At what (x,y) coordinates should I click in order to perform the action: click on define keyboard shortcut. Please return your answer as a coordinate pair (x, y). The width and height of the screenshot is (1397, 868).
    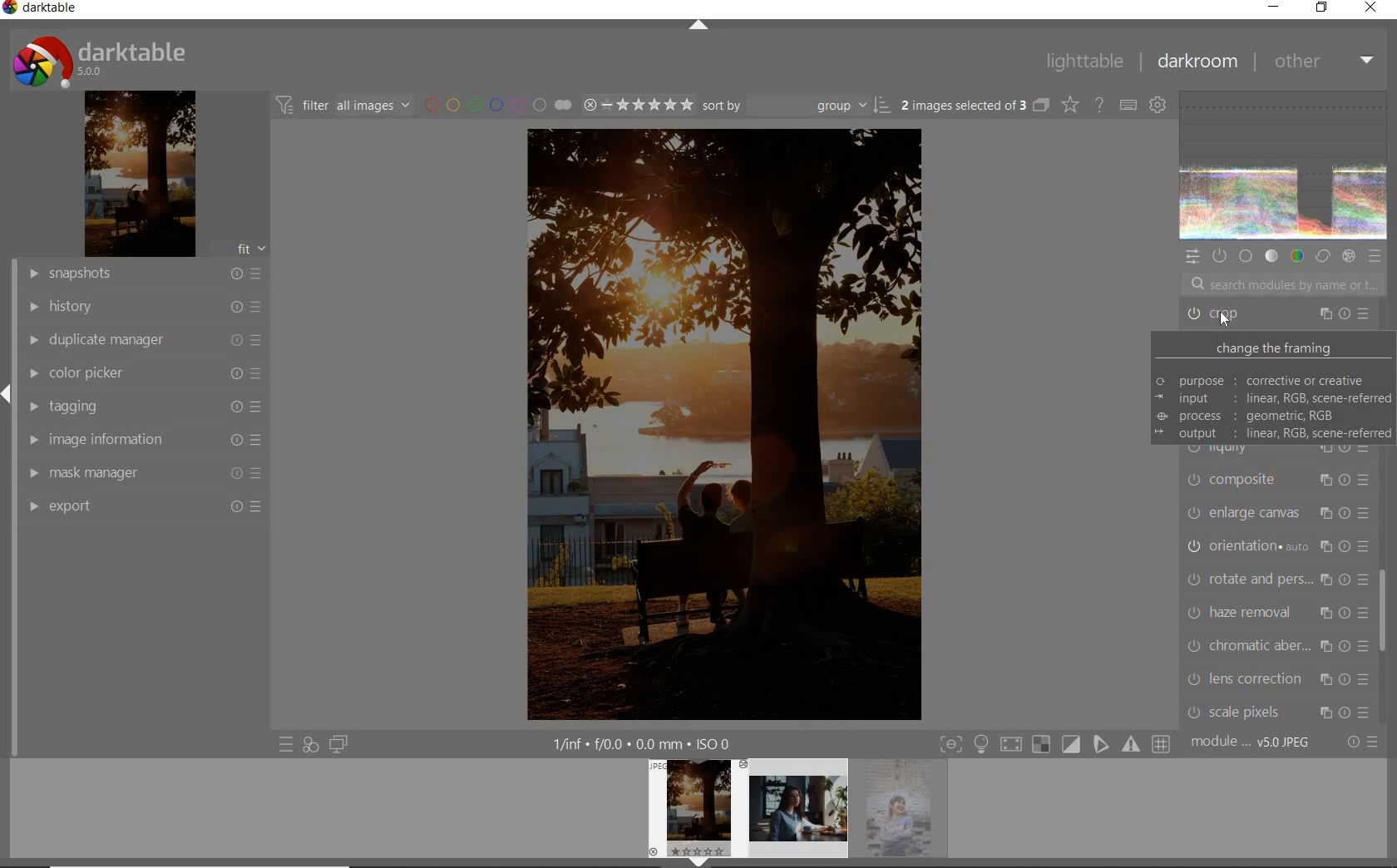
    Looking at the image, I should click on (1128, 104).